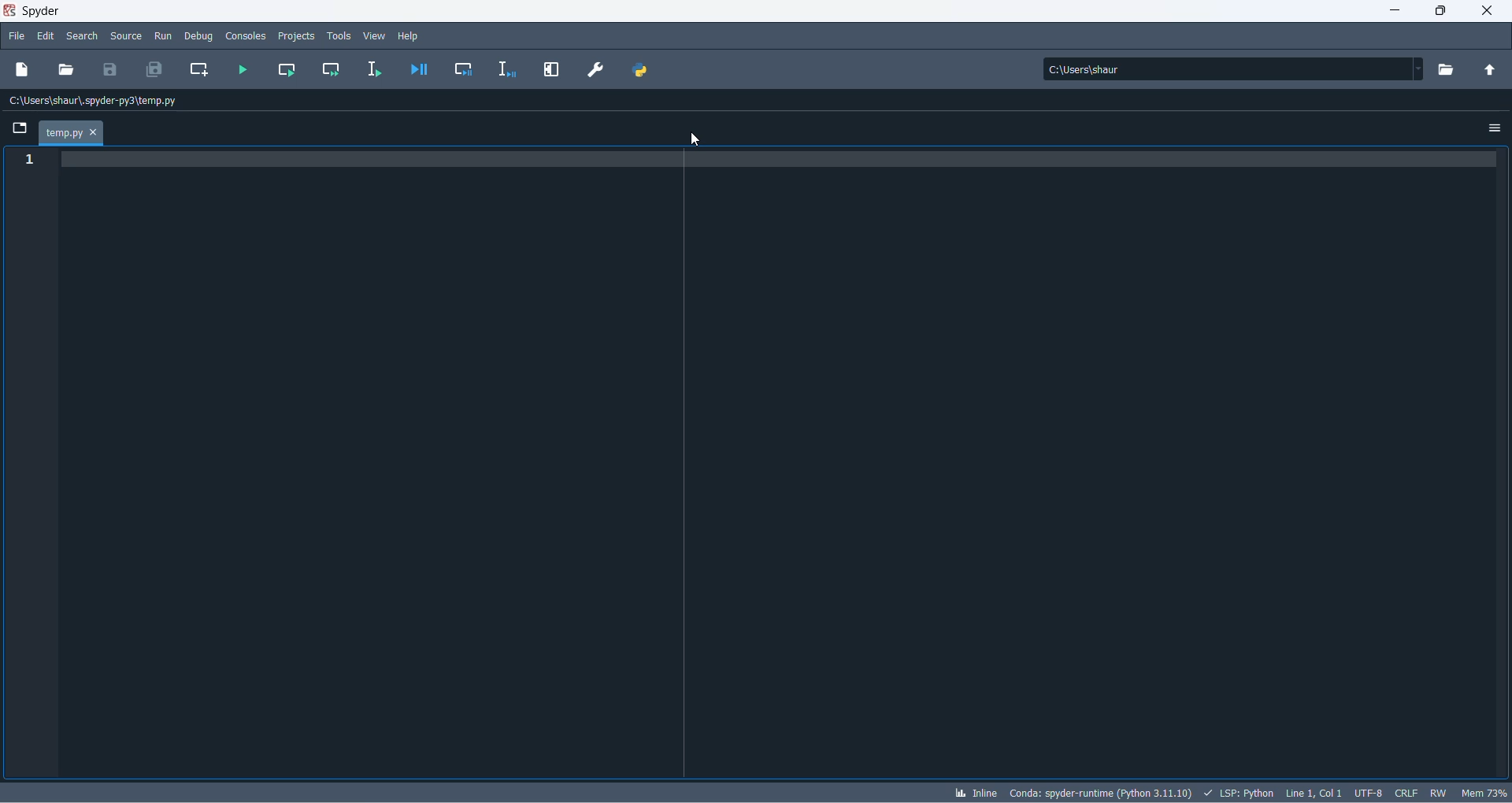 This screenshot has width=1512, height=803. Describe the element at coordinates (82, 35) in the screenshot. I see `search` at that location.